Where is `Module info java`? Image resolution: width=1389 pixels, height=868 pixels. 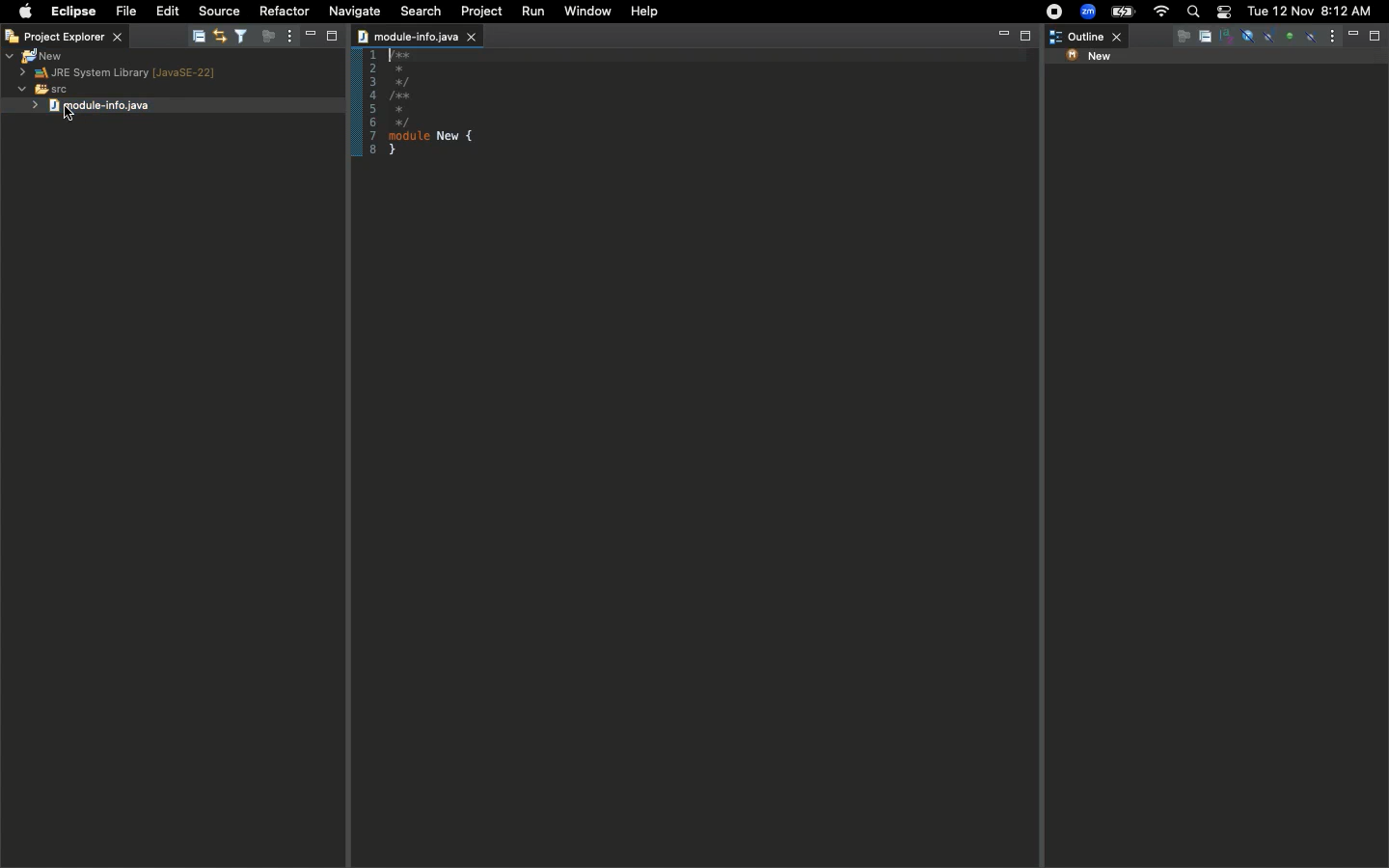 Module info java is located at coordinates (421, 37).